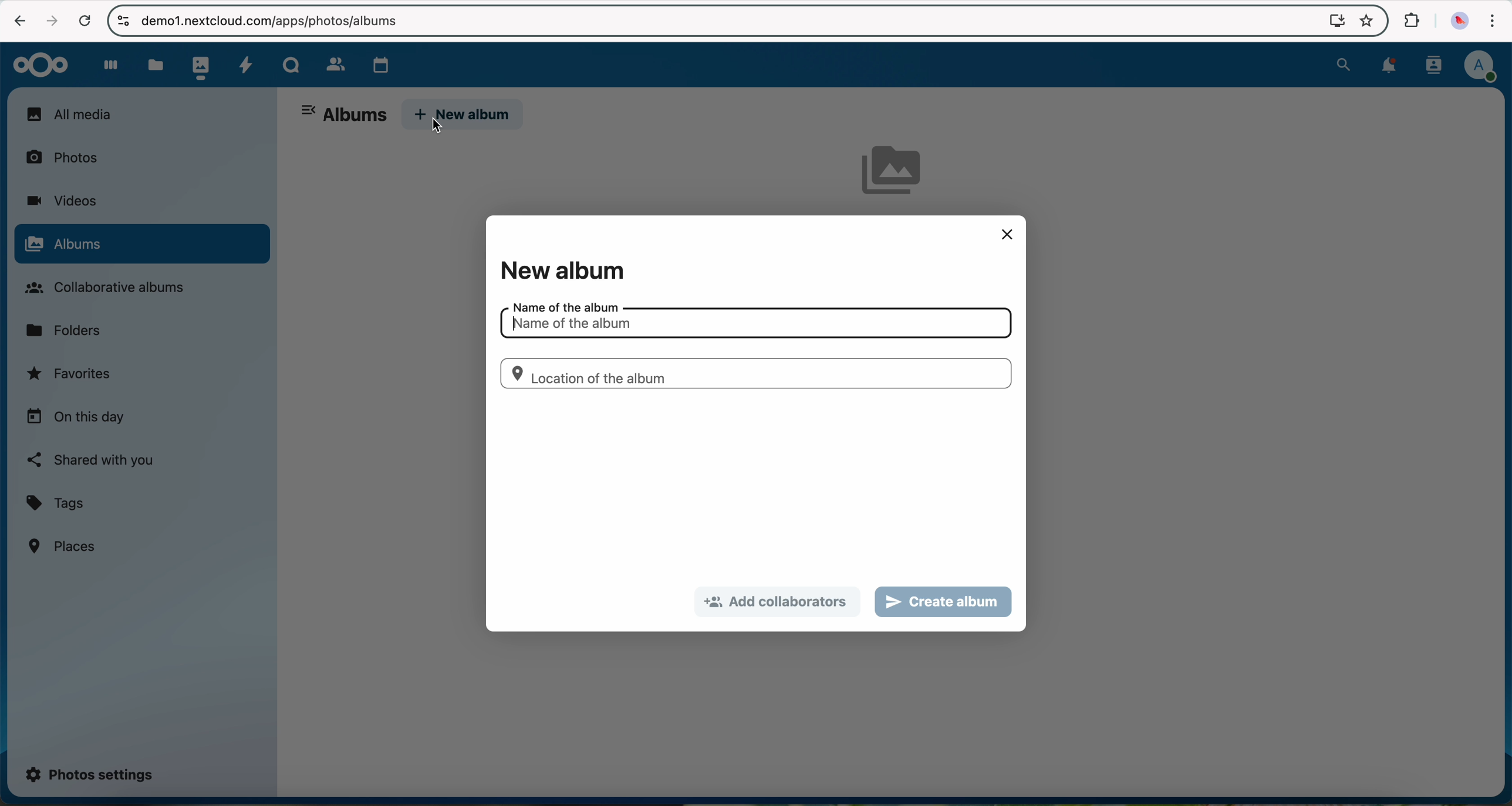 This screenshot has height=806, width=1512. Describe the element at coordinates (64, 546) in the screenshot. I see `places` at that location.